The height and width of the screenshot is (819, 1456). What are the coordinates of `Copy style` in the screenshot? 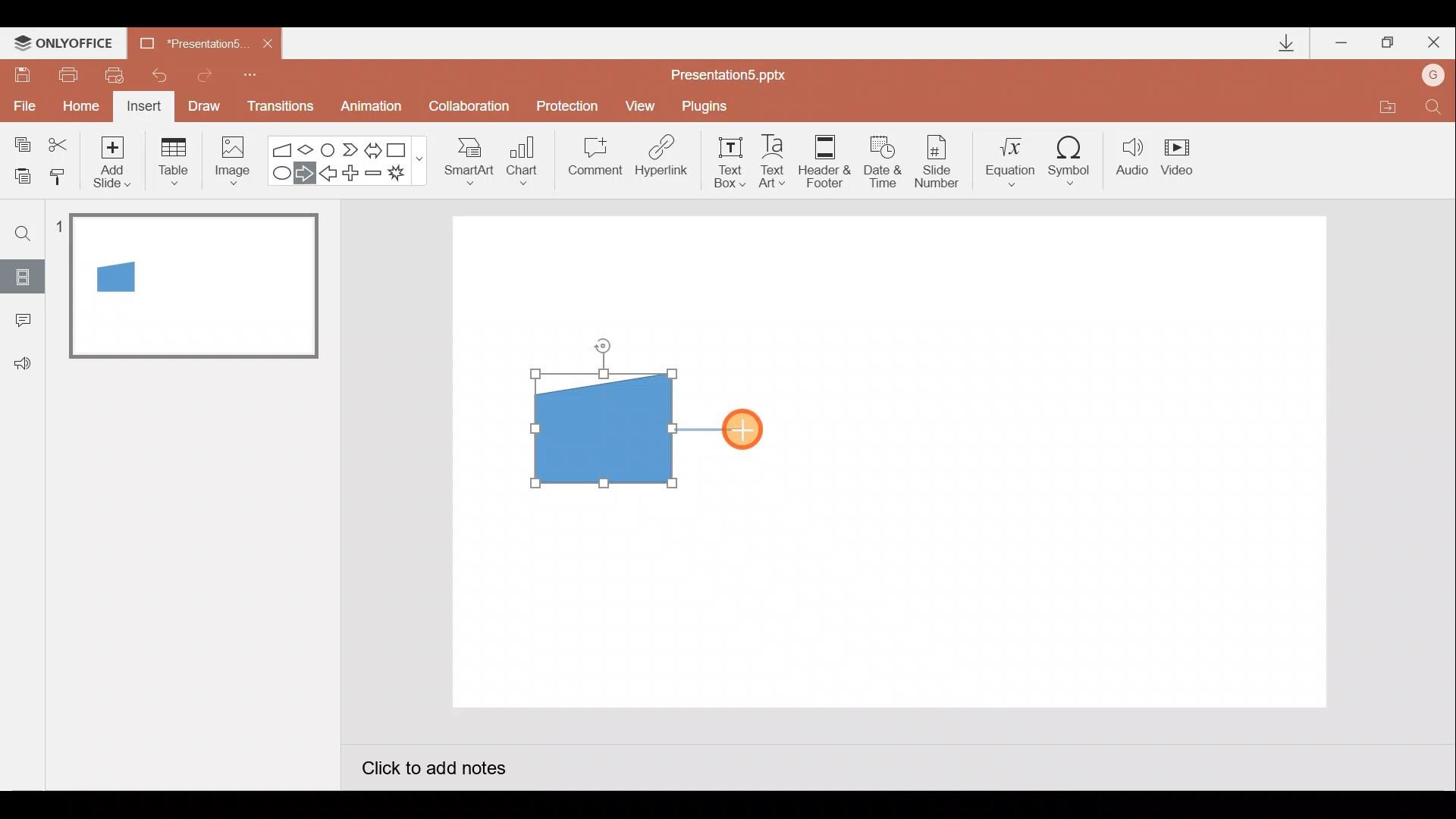 It's located at (59, 174).